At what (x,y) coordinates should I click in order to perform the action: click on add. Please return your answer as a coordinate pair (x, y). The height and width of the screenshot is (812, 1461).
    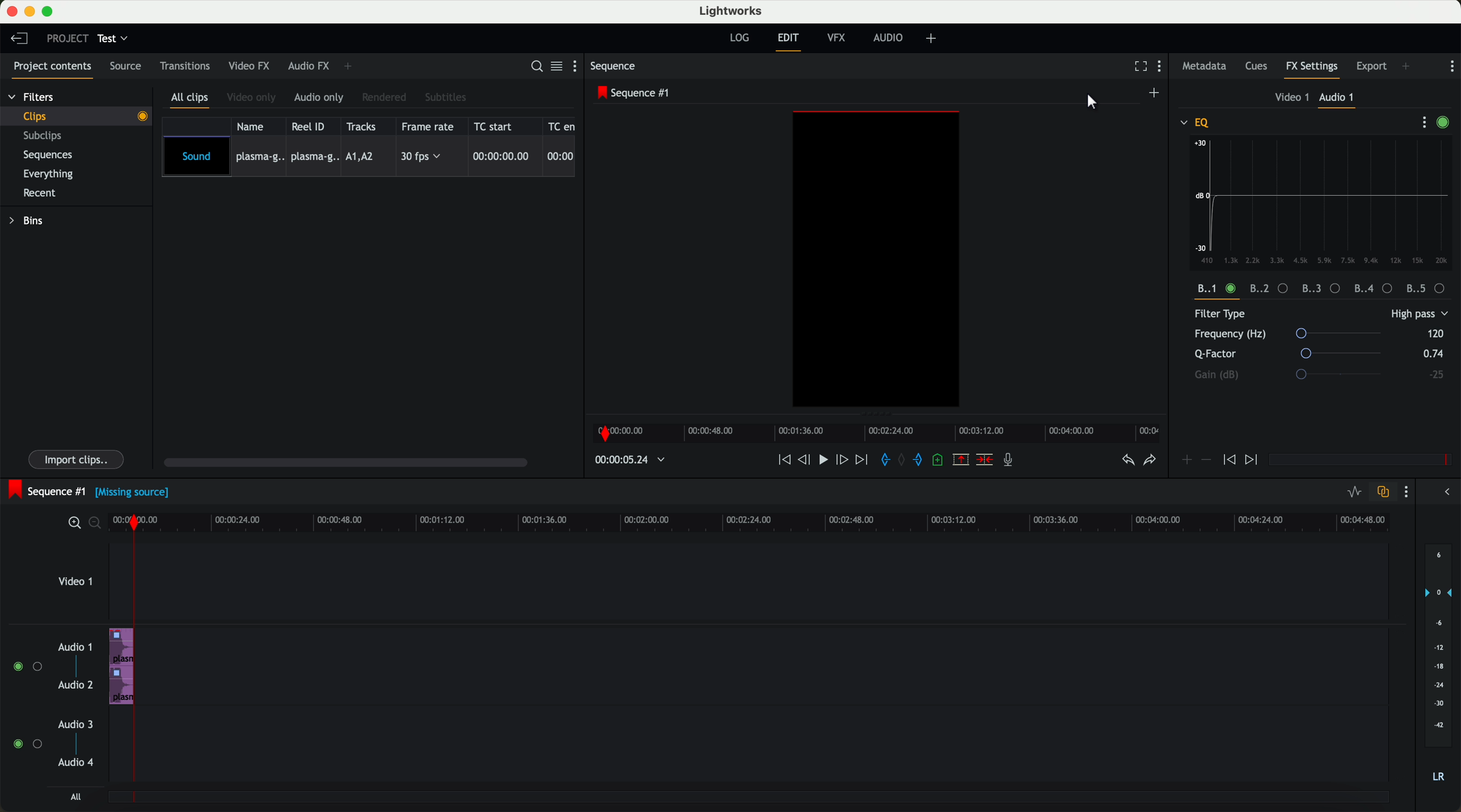
    Looking at the image, I should click on (1407, 66).